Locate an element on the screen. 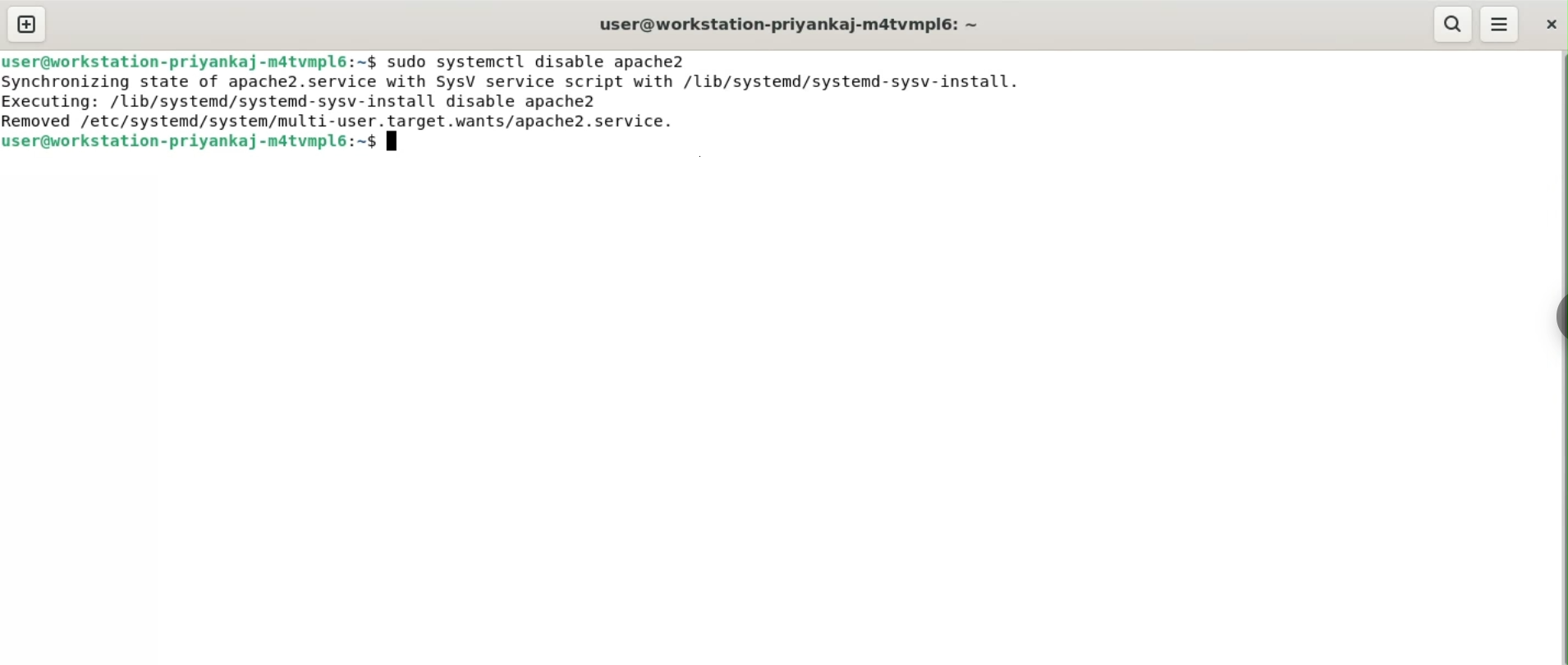  sudo systemctl disable apache2 is located at coordinates (548, 59).